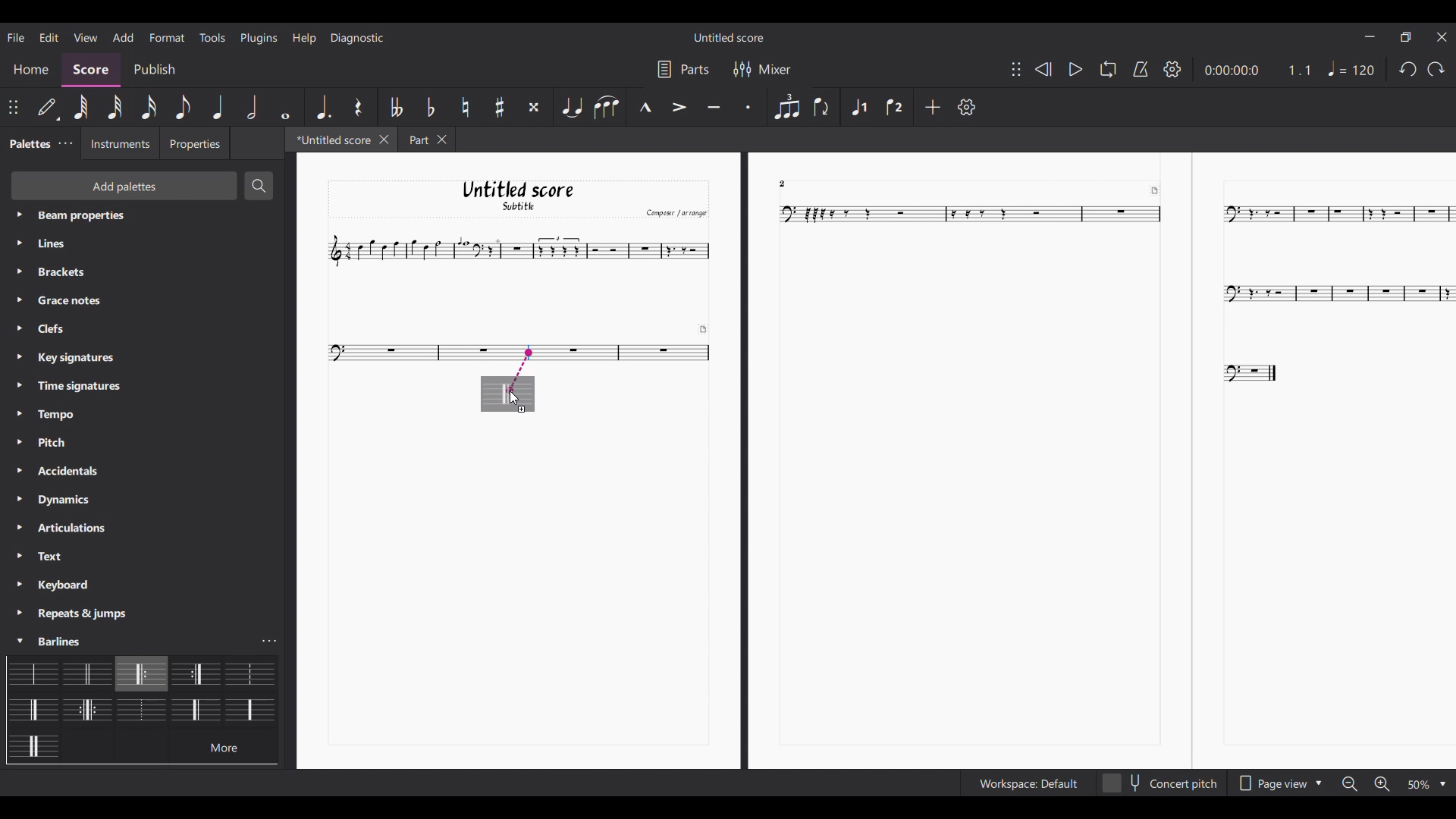 The image size is (1456, 819). I want to click on Palette settings, so click(68, 330).